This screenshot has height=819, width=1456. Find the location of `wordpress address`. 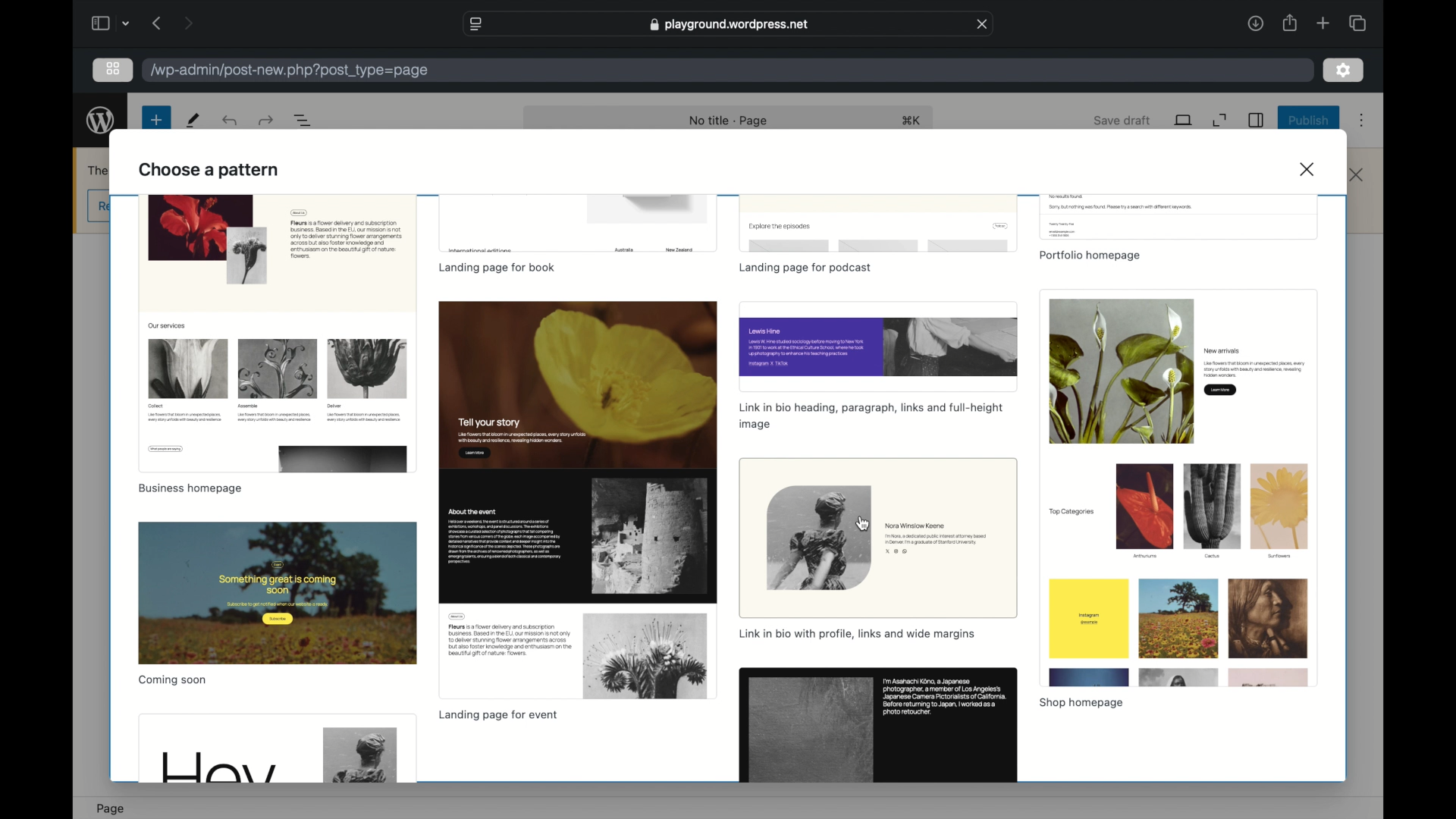

wordpress address is located at coordinates (290, 71).